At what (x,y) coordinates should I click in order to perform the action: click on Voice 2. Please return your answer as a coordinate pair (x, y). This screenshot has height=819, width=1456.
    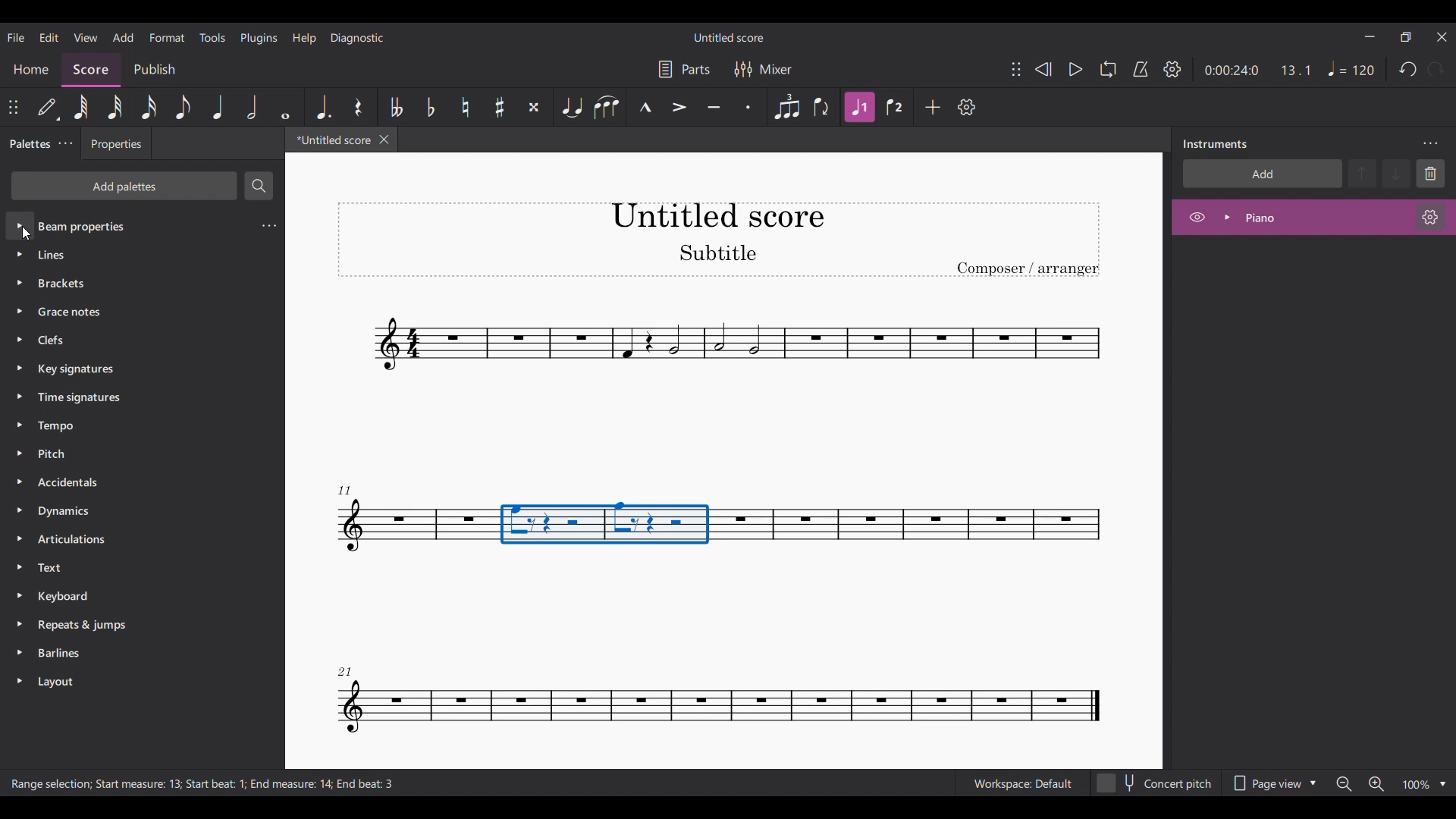
    Looking at the image, I should click on (894, 107).